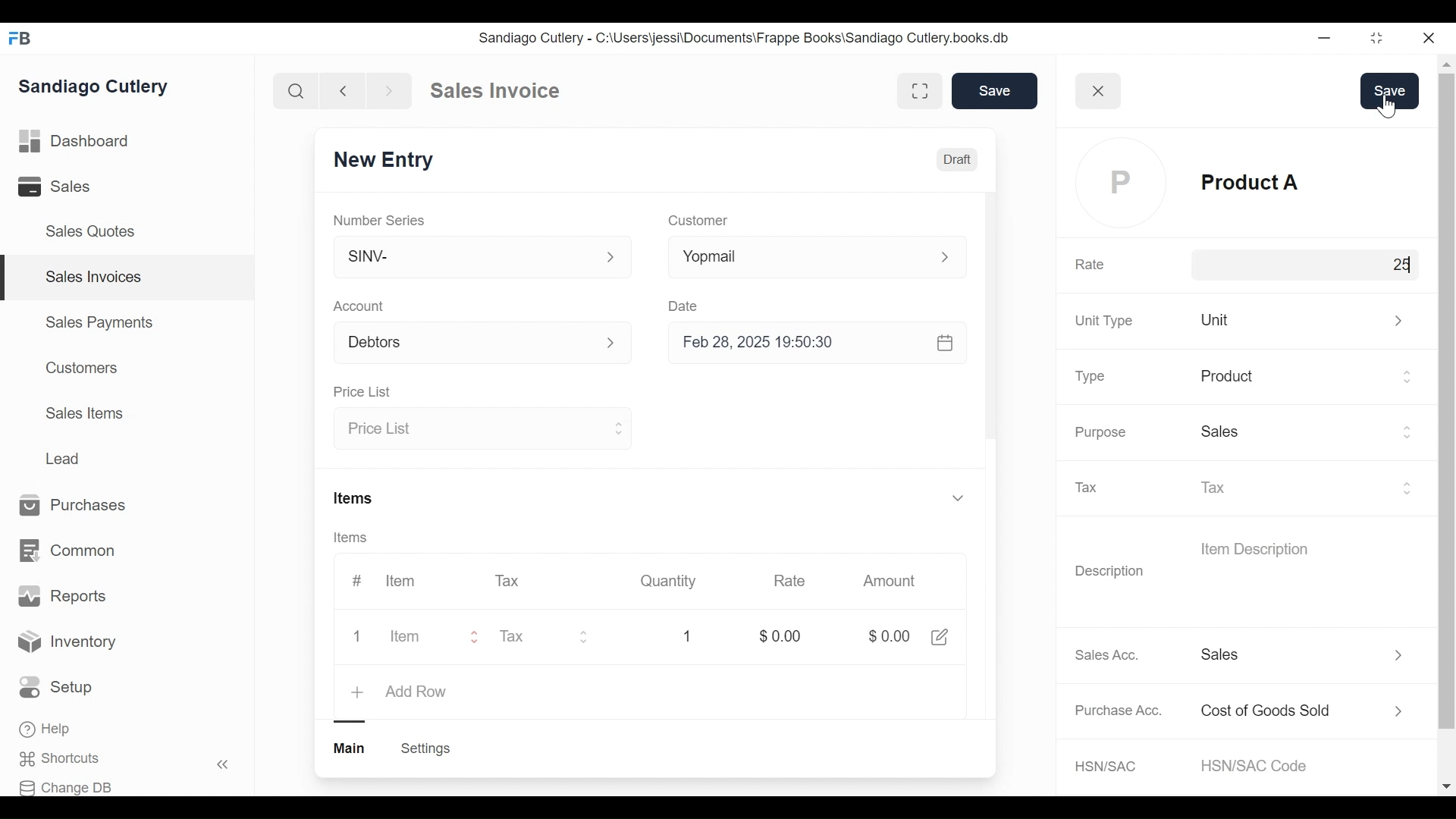 This screenshot has width=1456, height=819. Describe the element at coordinates (1124, 184) in the screenshot. I see `profile` at that location.